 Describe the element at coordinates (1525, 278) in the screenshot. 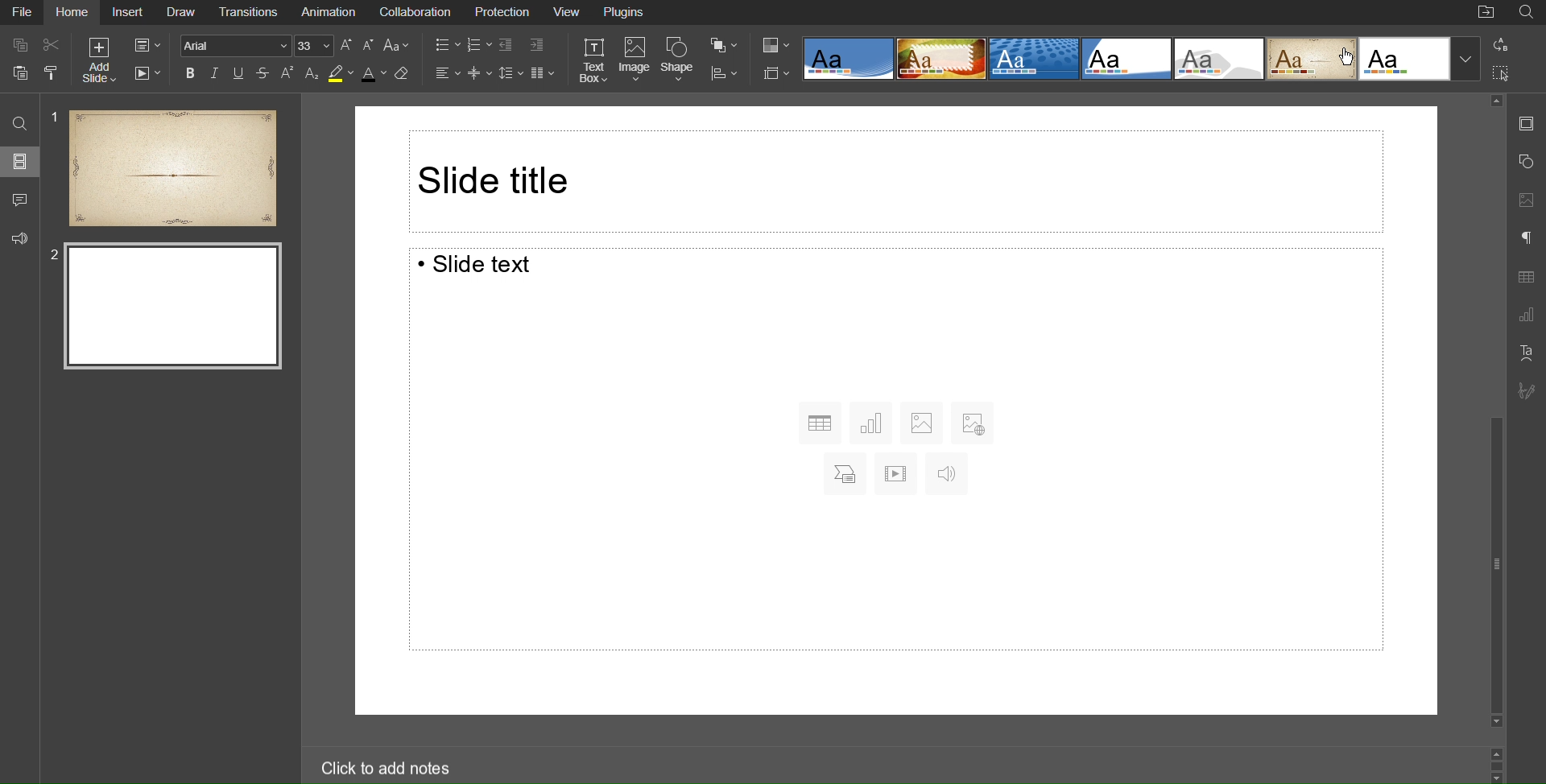

I see `Table Settings` at that location.